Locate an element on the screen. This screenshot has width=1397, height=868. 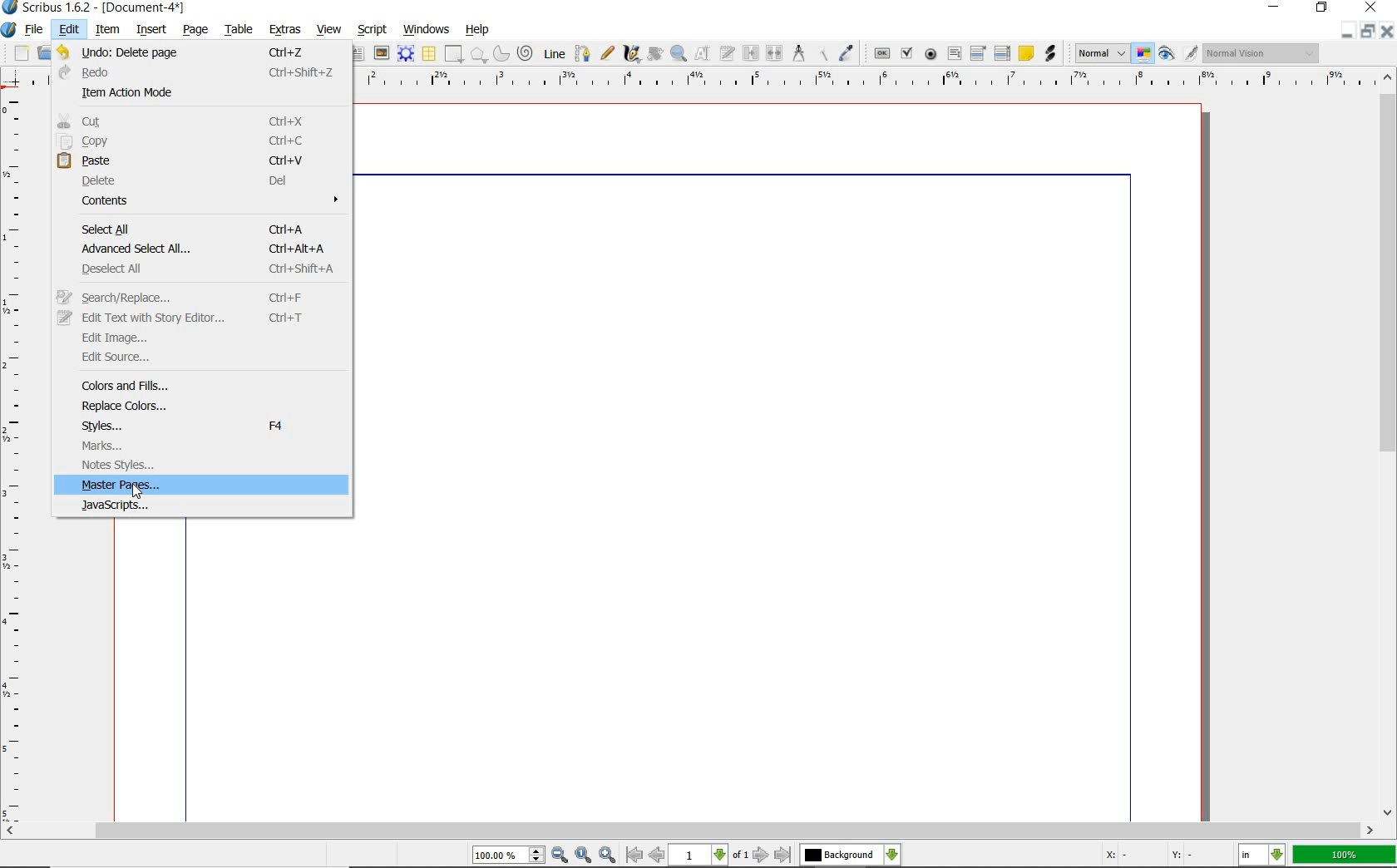
scrollbar is located at coordinates (1389, 443).